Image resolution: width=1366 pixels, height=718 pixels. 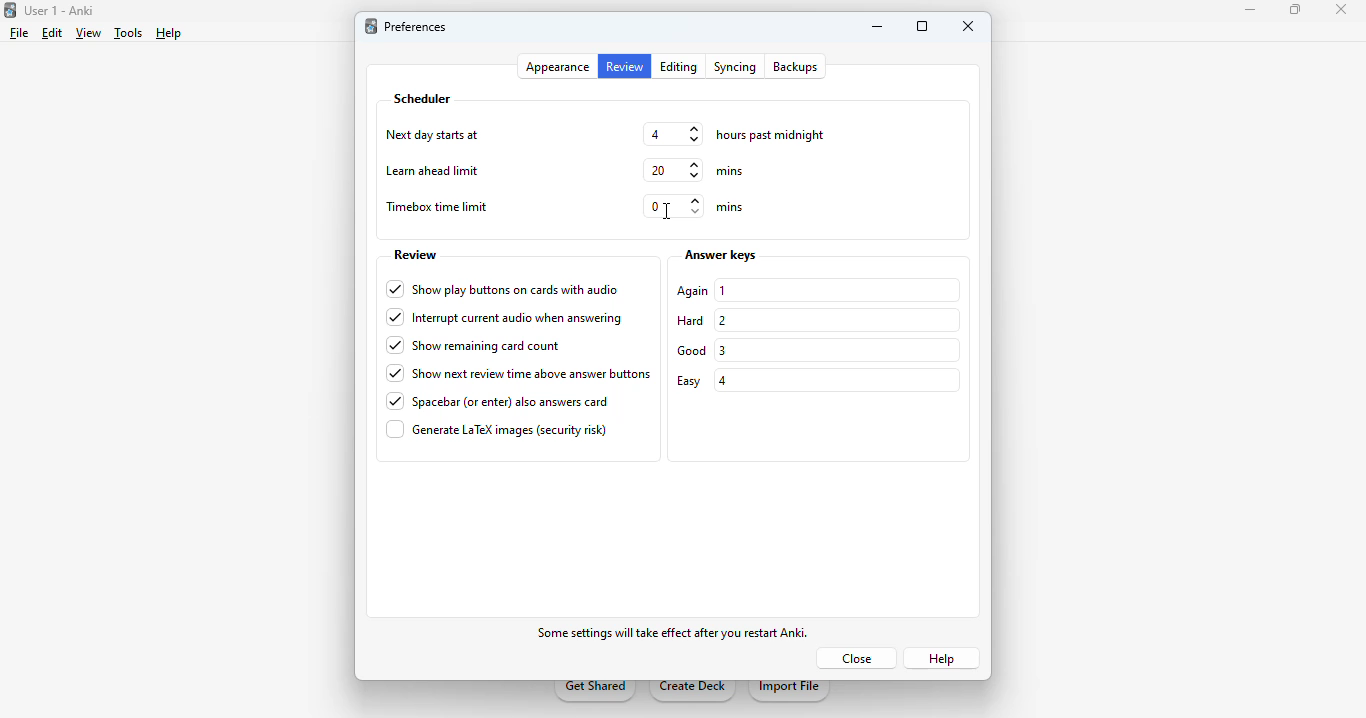 What do you see at coordinates (423, 99) in the screenshot?
I see `scheduler` at bounding box center [423, 99].